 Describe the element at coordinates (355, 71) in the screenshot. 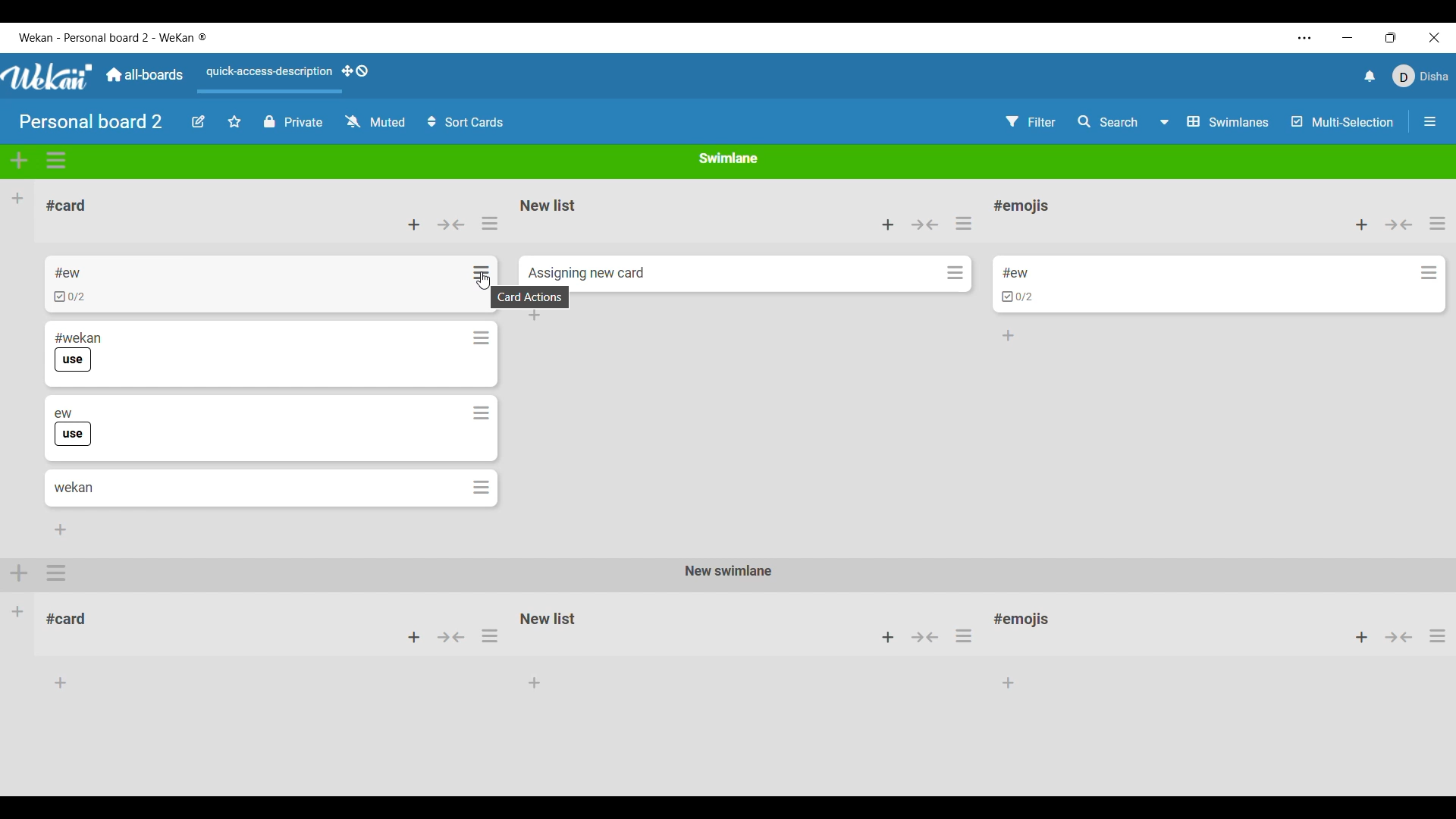

I see `Show desktop drag handles` at that location.